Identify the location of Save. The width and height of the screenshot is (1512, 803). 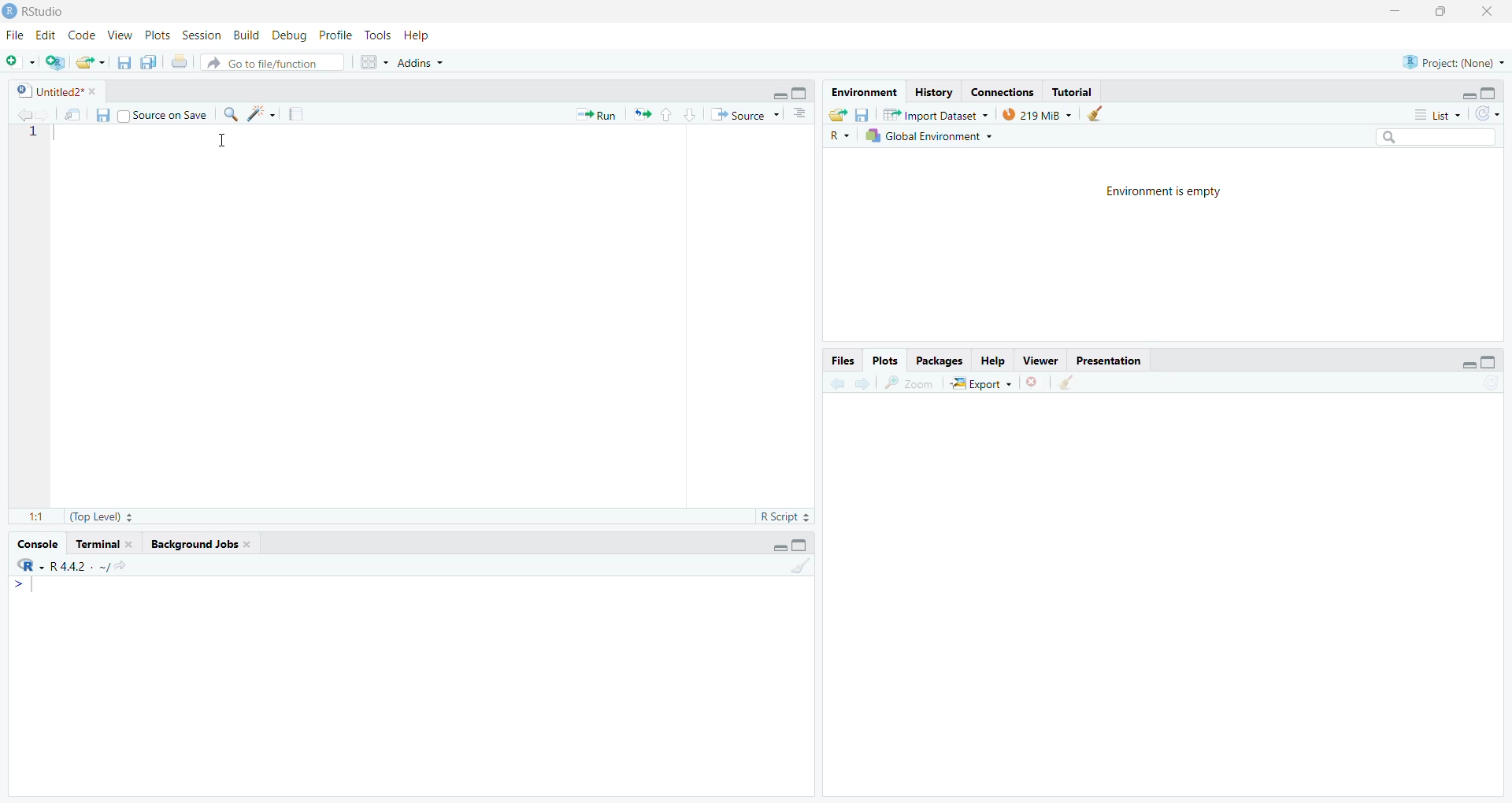
(102, 115).